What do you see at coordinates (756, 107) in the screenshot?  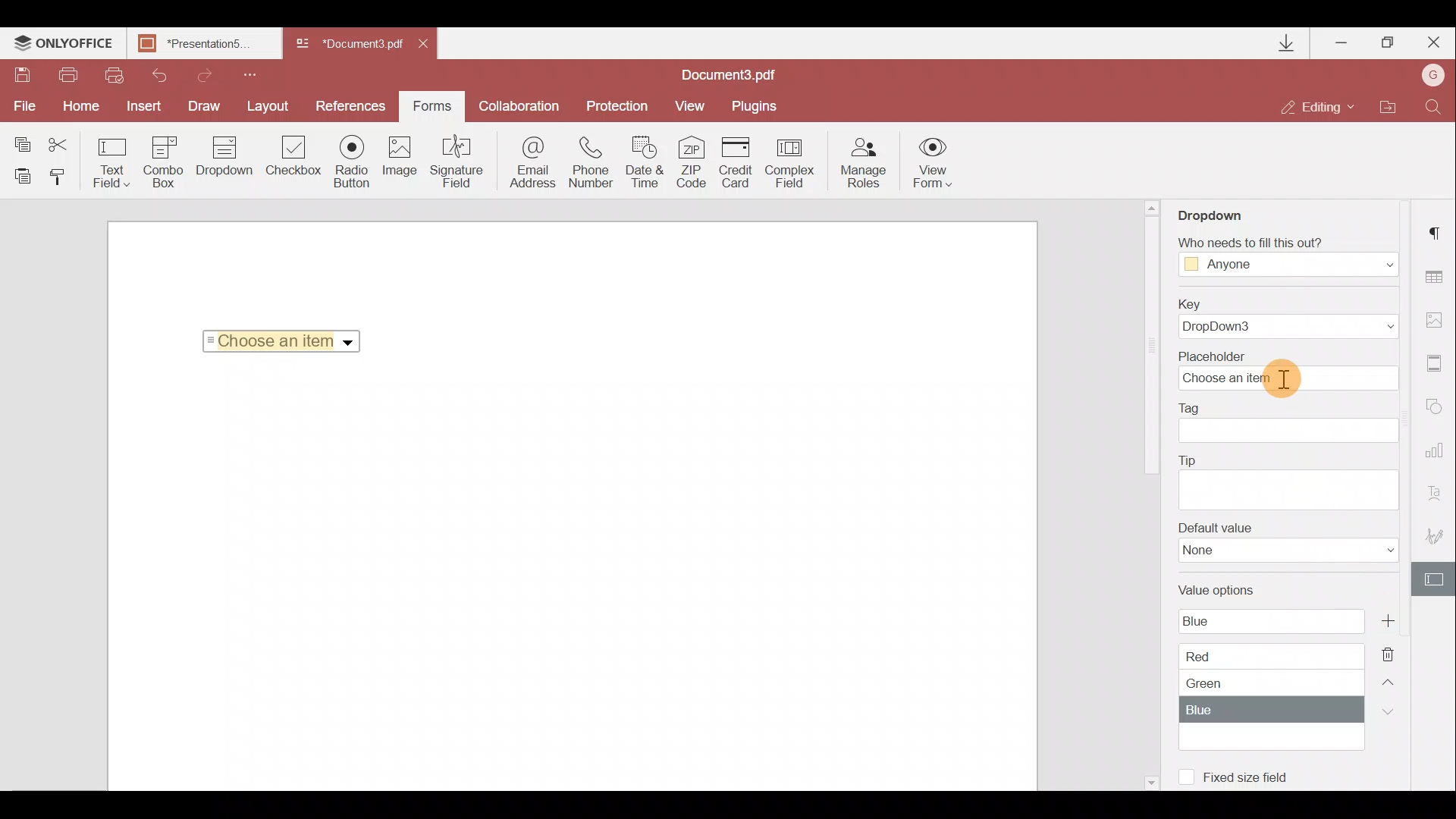 I see `Plugins` at bounding box center [756, 107].